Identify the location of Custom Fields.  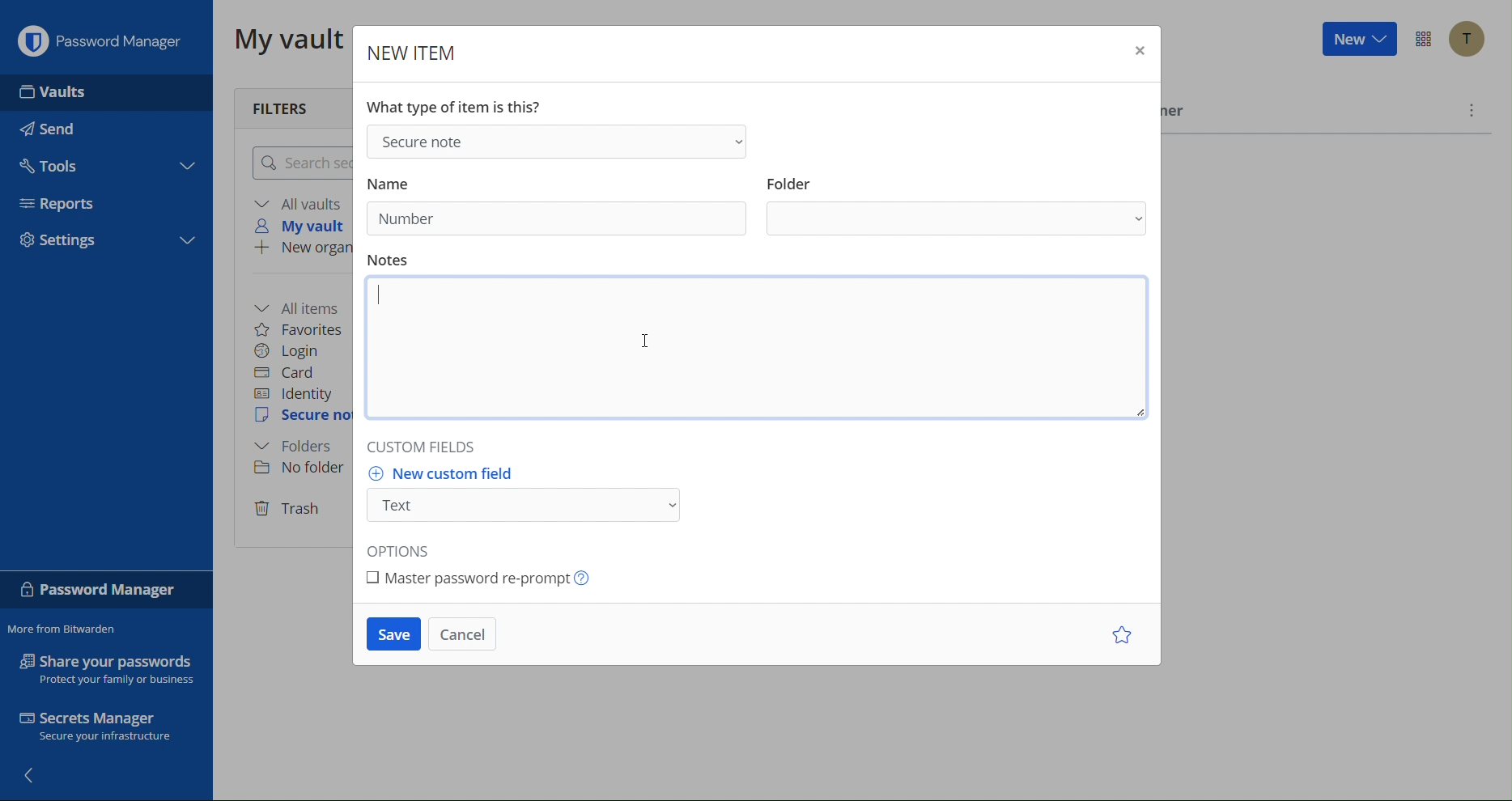
(436, 450).